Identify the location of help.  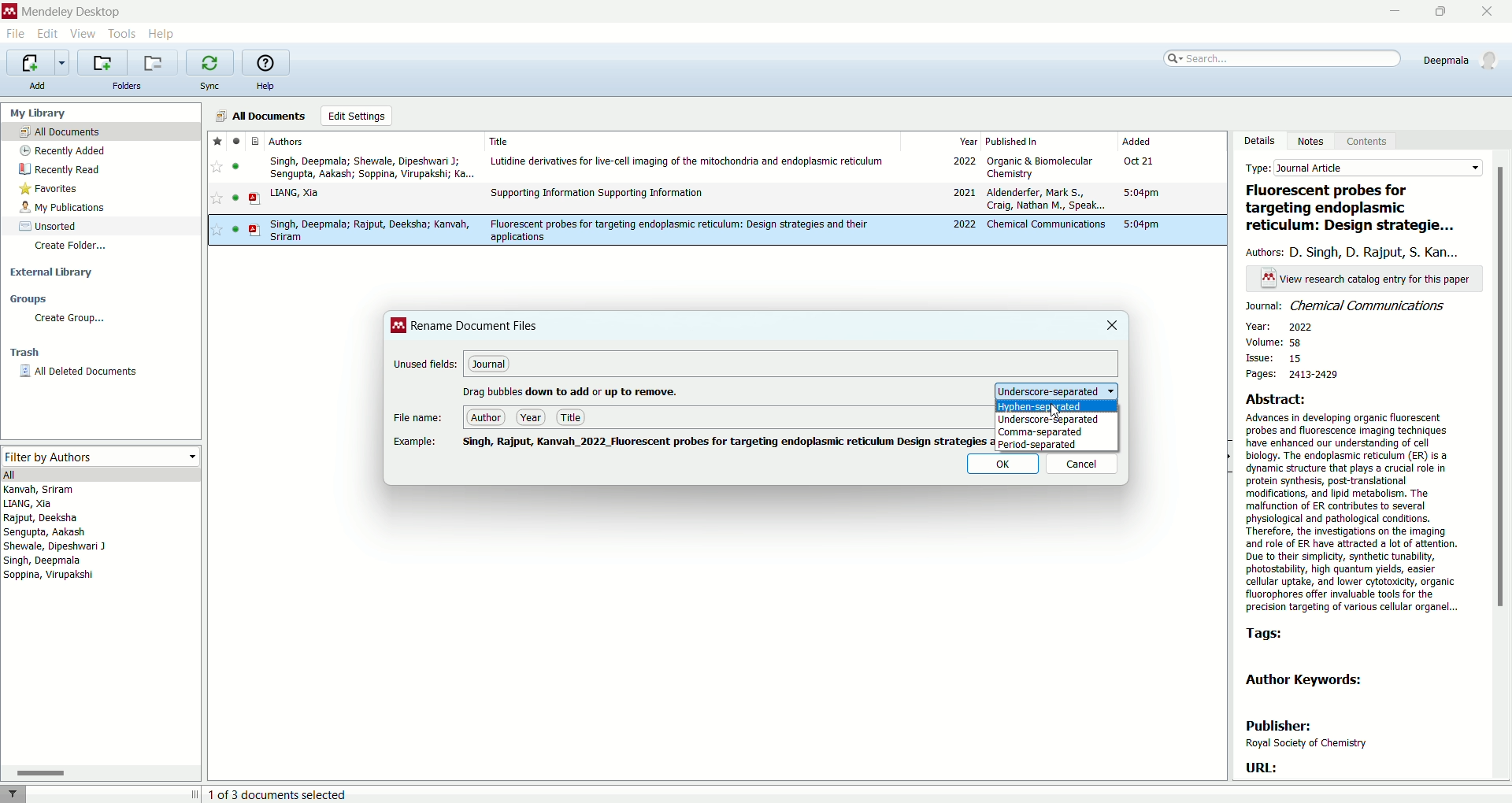
(161, 34).